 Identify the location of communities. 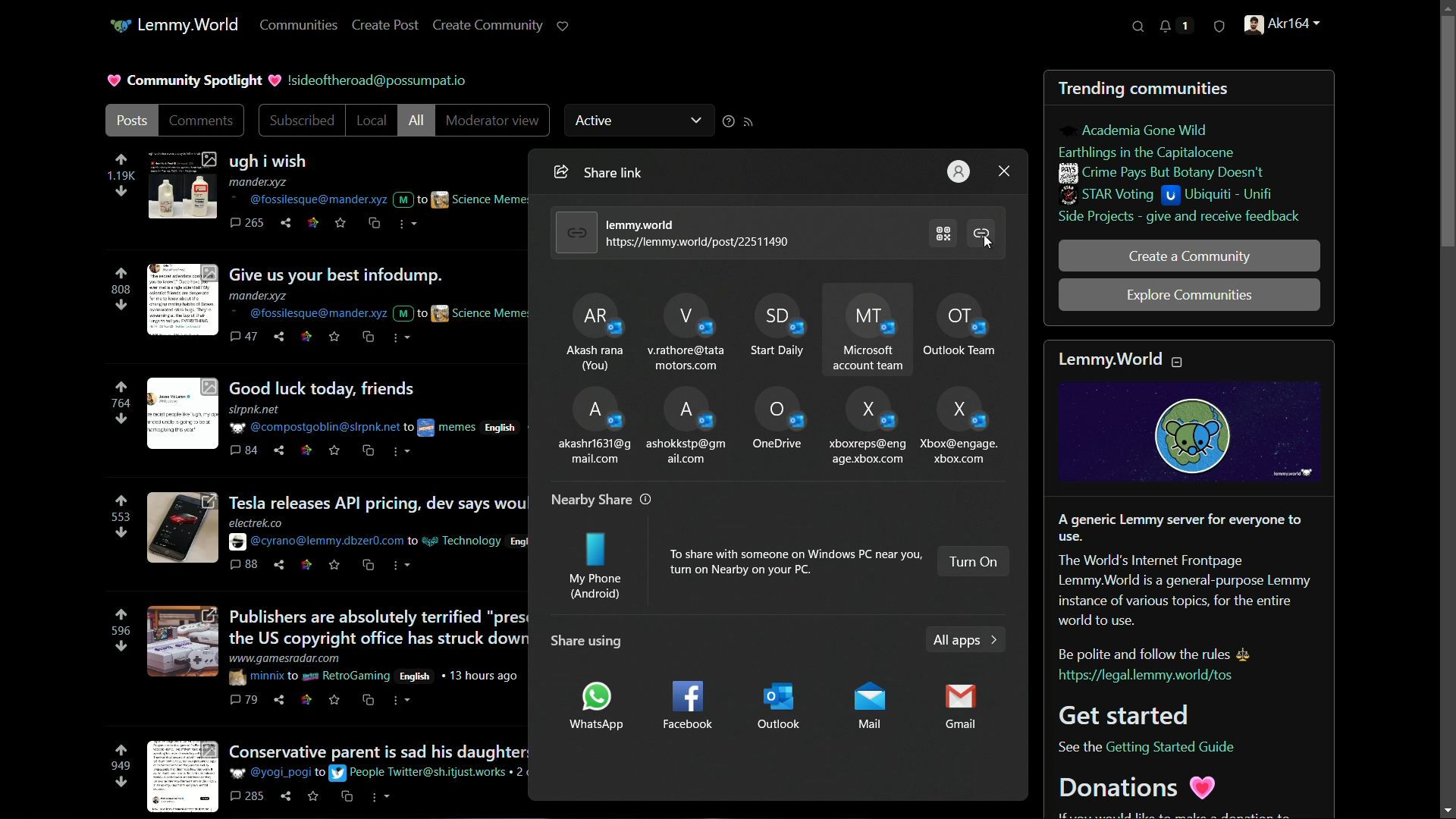
(301, 25).